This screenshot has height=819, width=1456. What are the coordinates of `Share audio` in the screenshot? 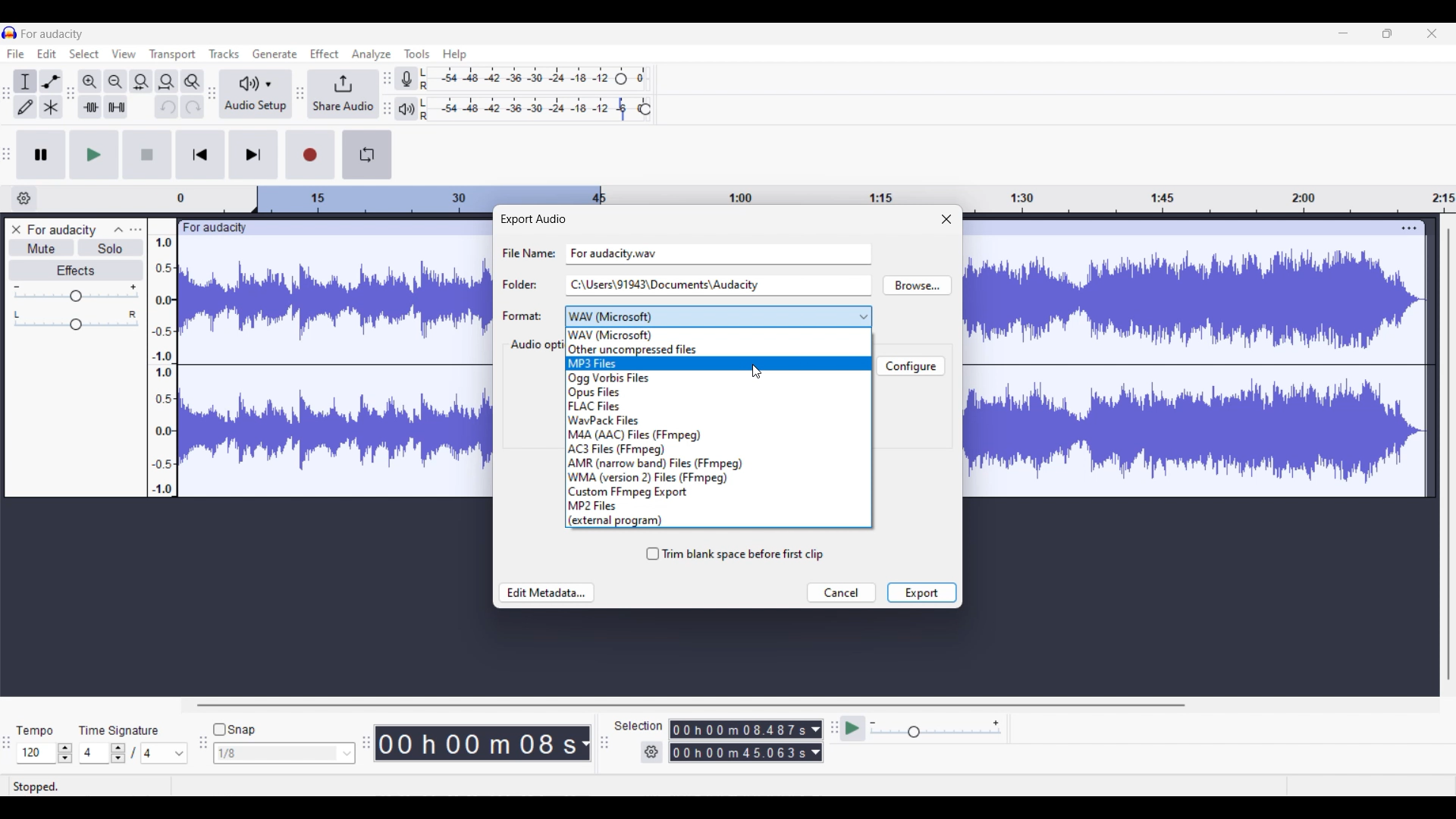 It's located at (343, 94).